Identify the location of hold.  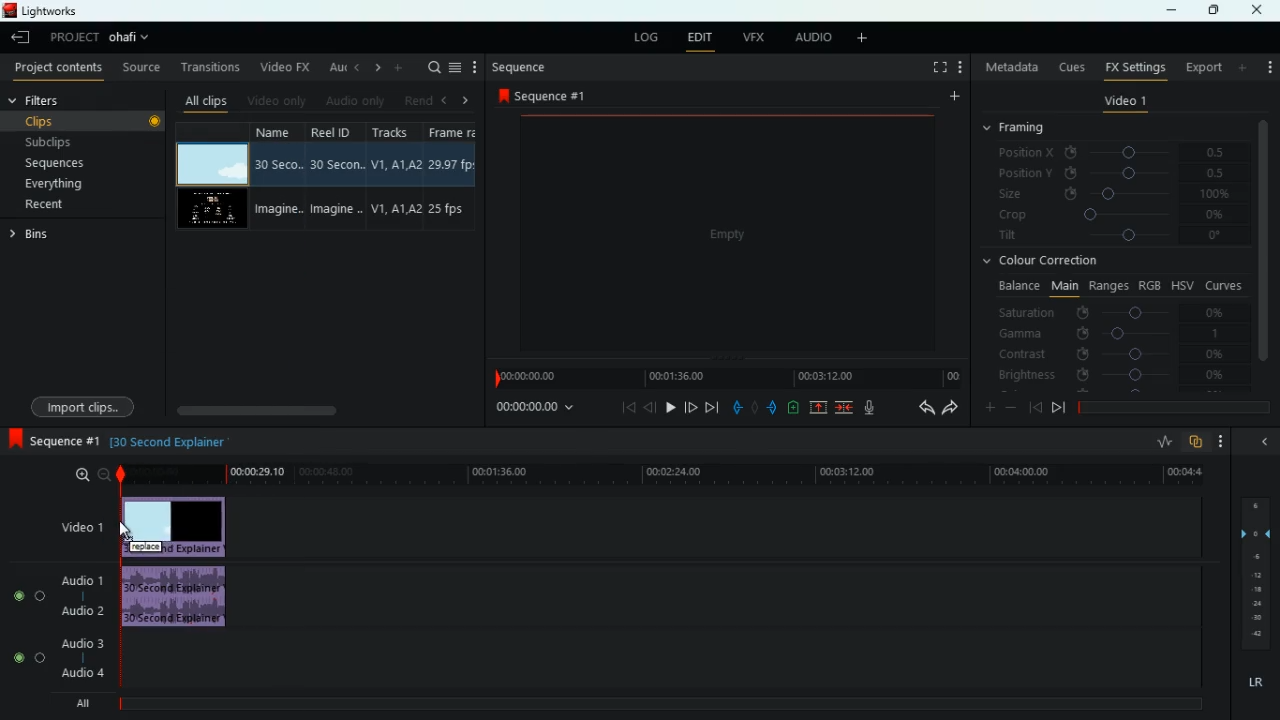
(754, 406).